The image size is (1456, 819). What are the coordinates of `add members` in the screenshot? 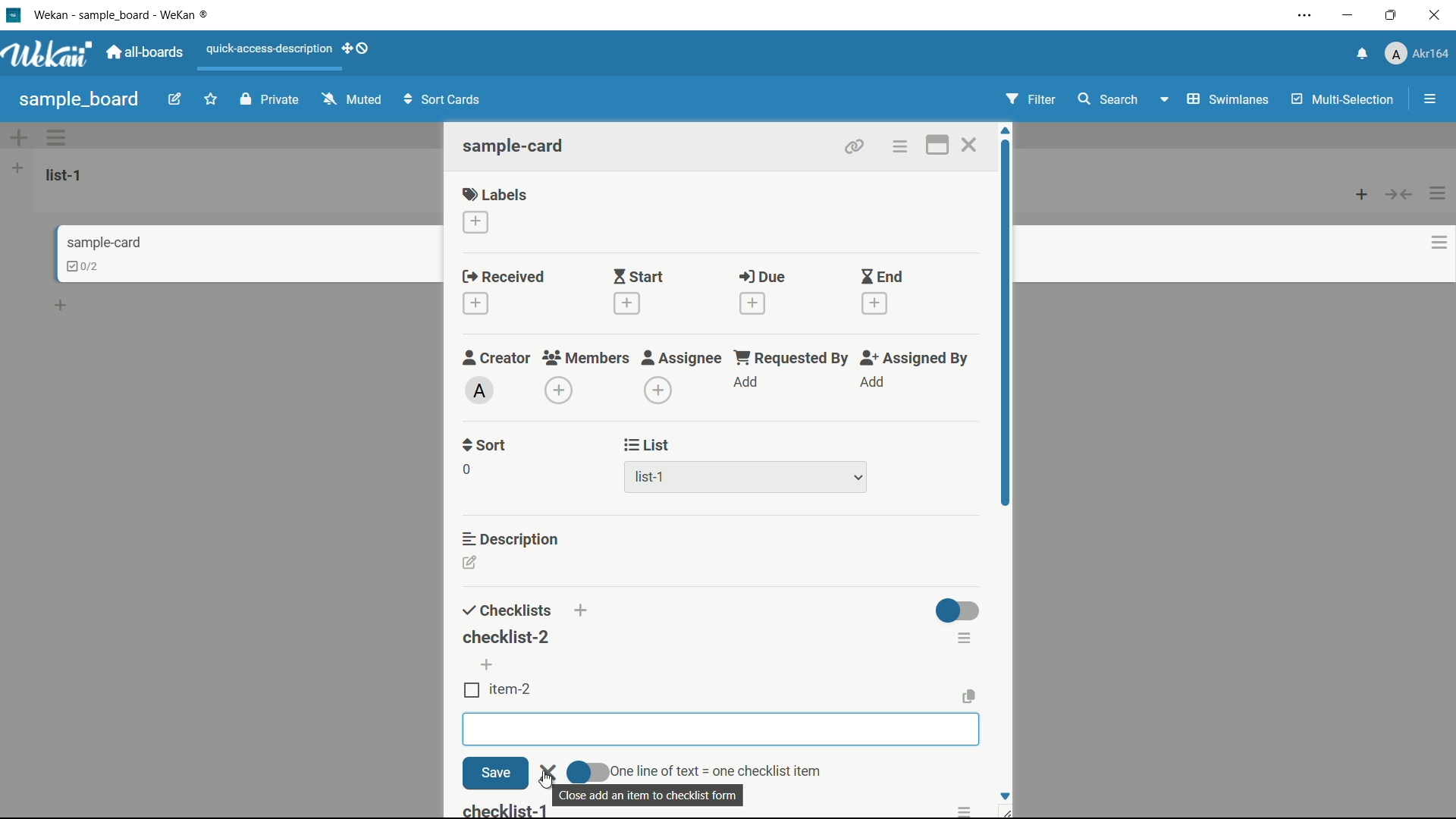 It's located at (561, 392).